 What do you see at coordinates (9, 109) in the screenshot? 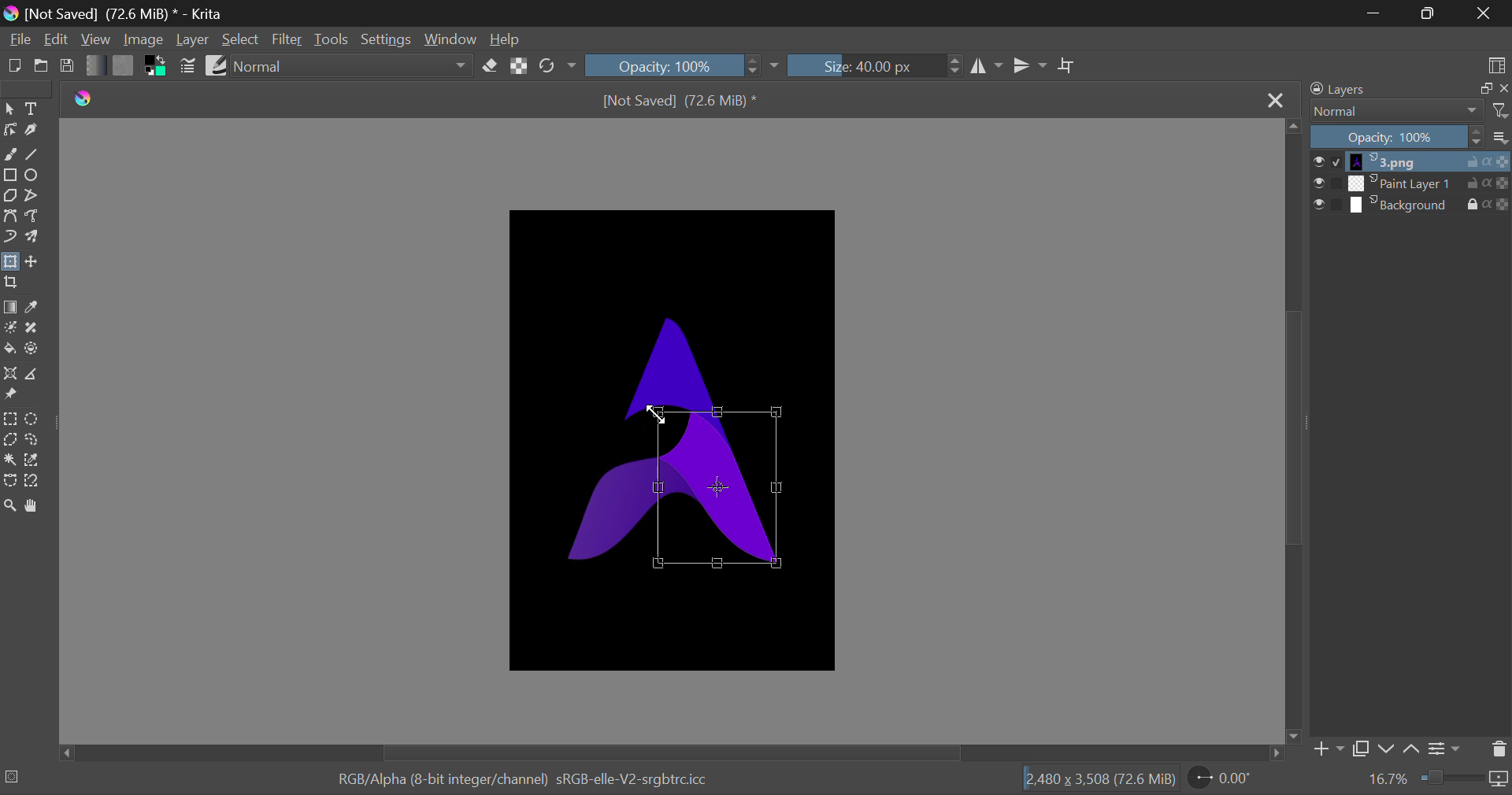
I see `Select` at bounding box center [9, 109].